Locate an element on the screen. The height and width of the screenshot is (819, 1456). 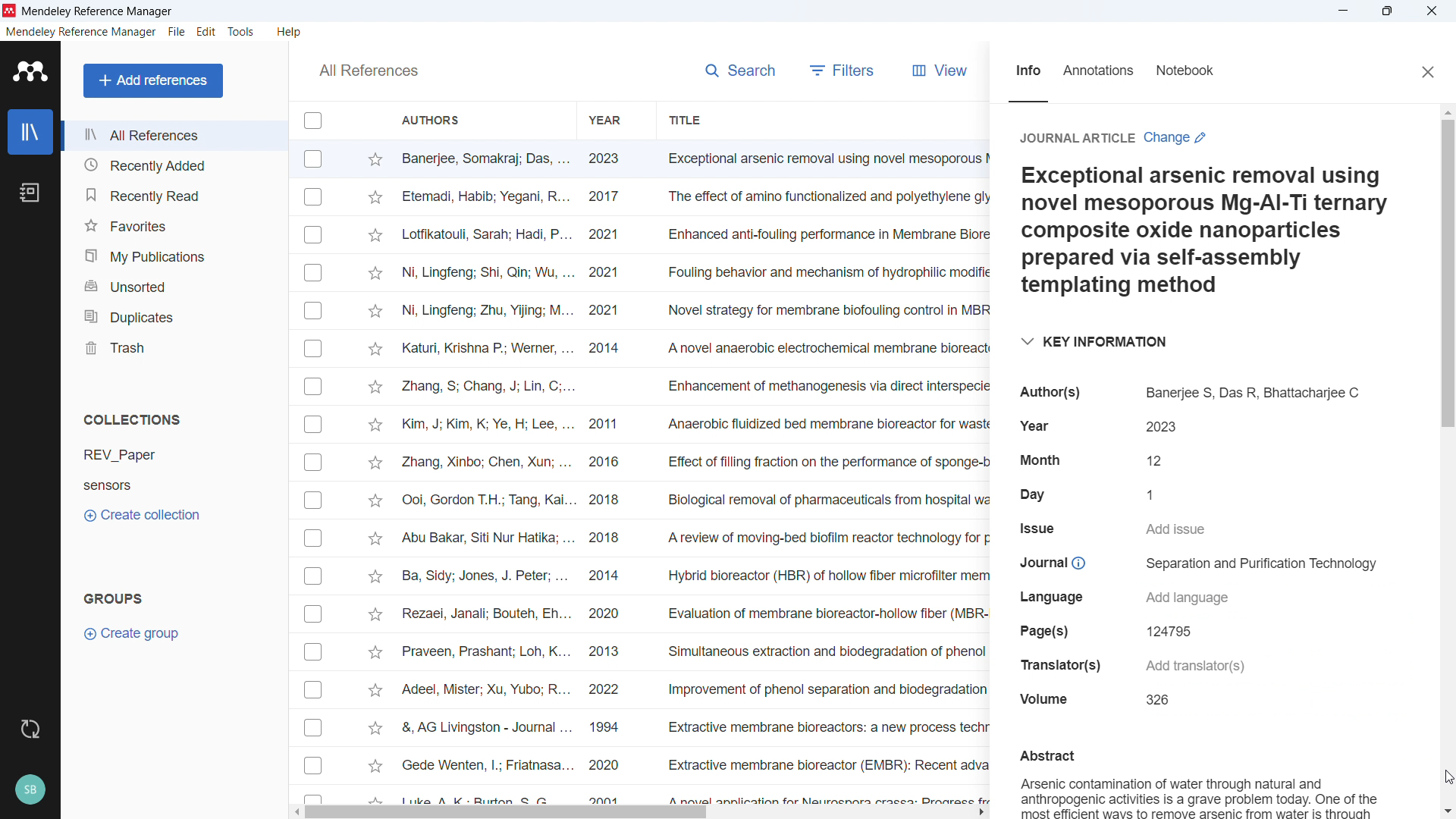
2021 is located at coordinates (607, 309).